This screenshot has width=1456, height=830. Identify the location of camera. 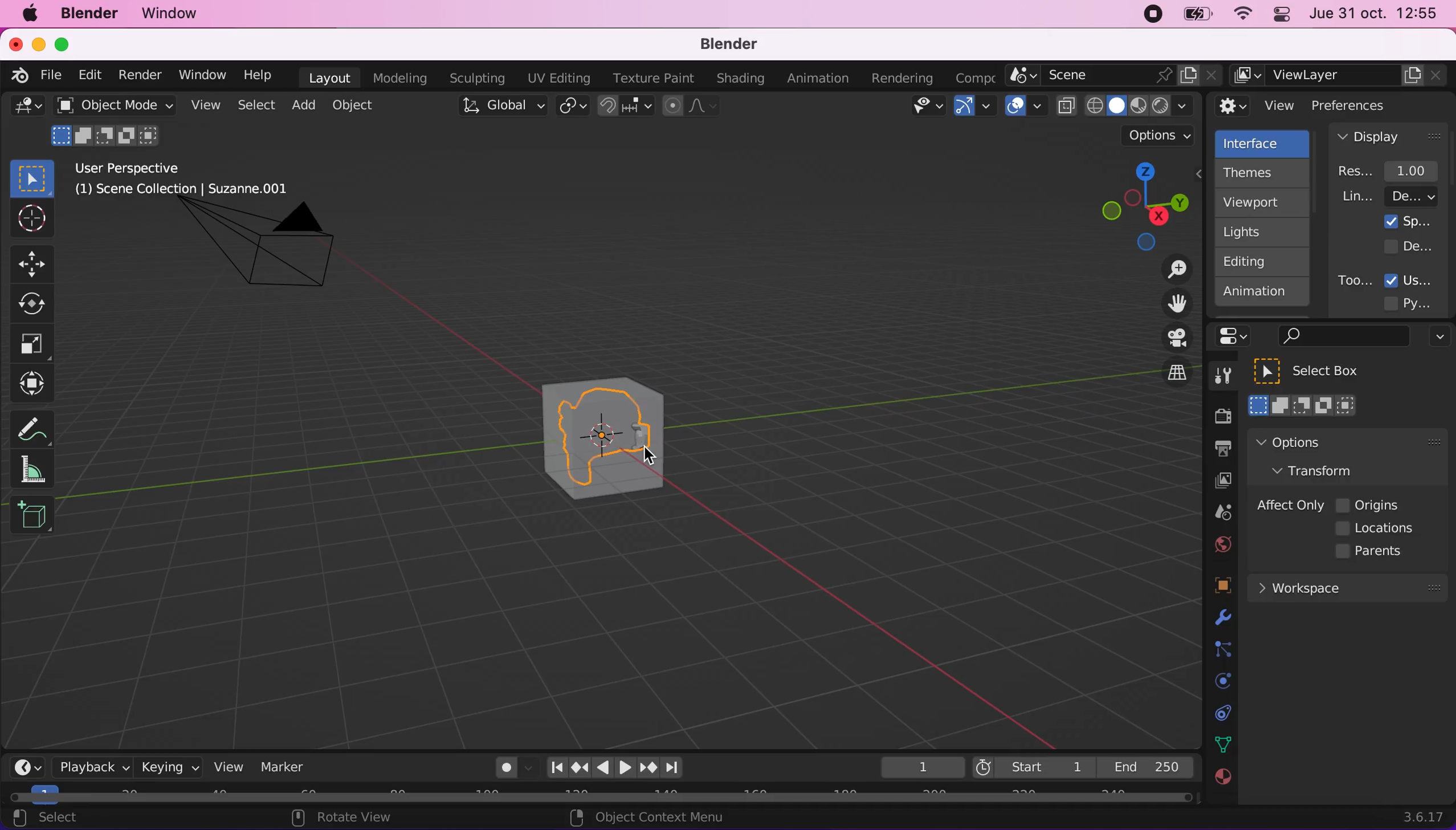
(272, 255).